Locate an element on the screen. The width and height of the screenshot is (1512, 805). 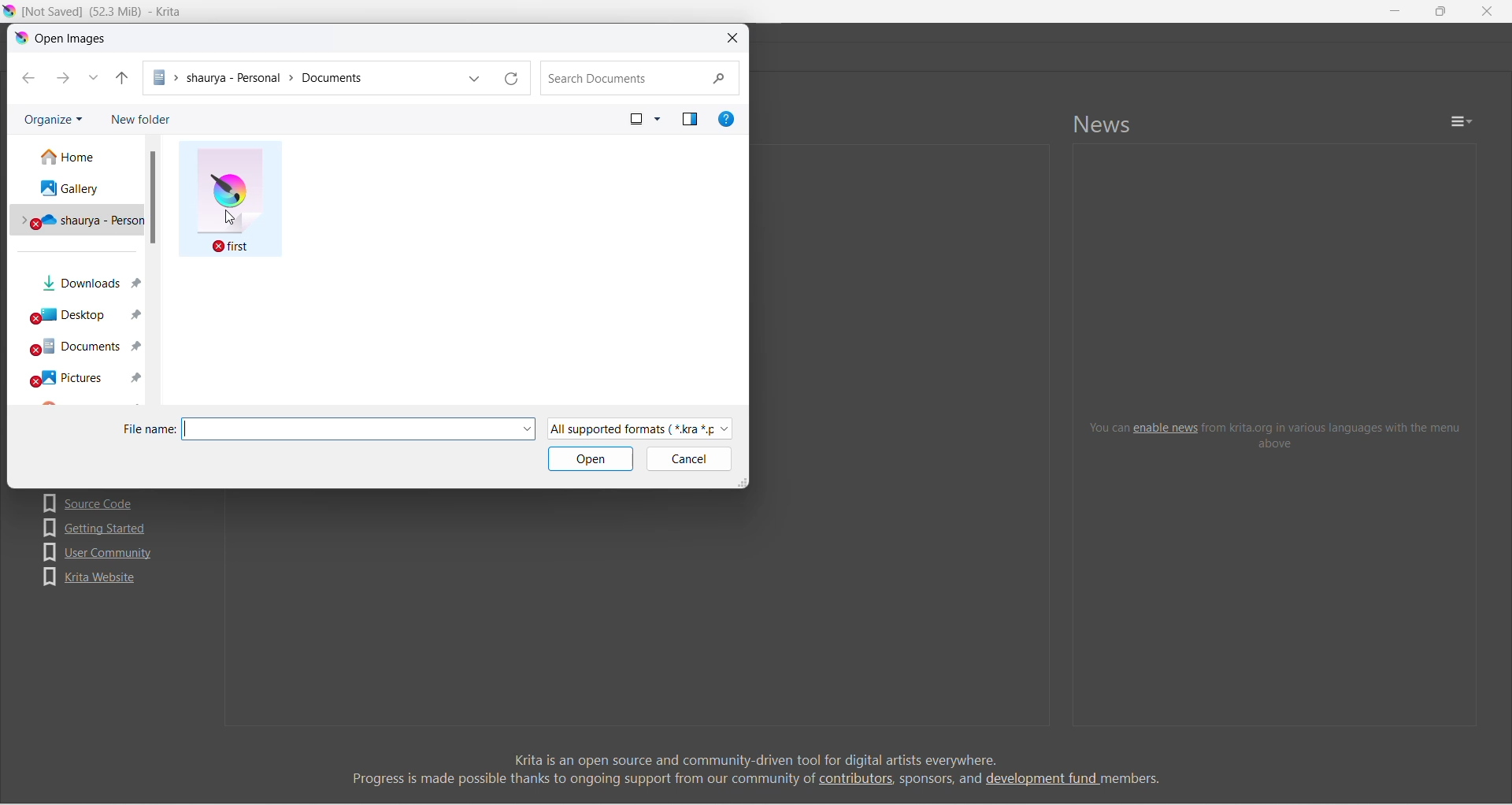
Change dimension of window is located at coordinates (742, 481).